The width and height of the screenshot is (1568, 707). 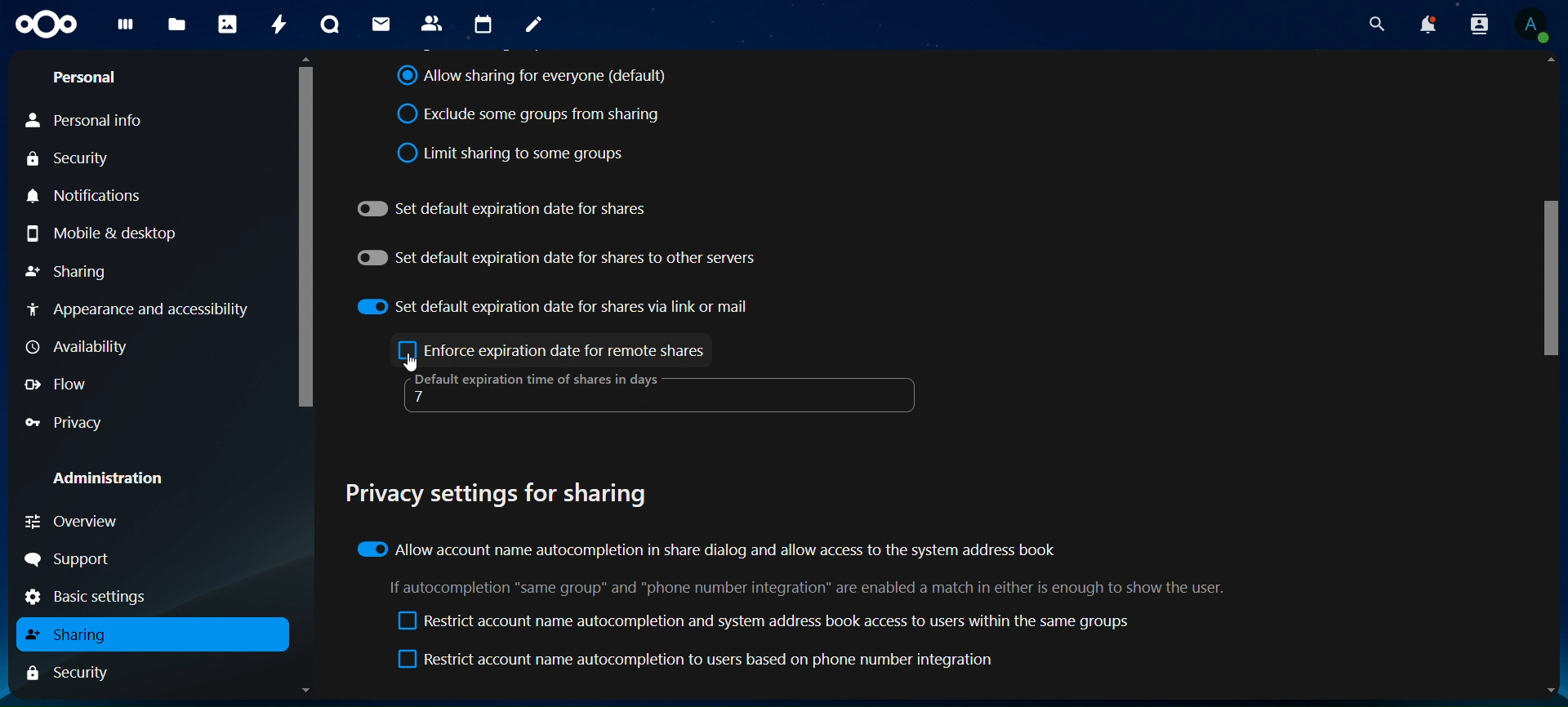 What do you see at coordinates (75, 345) in the screenshot?
I see `availability` at bounding box center [75, 345].